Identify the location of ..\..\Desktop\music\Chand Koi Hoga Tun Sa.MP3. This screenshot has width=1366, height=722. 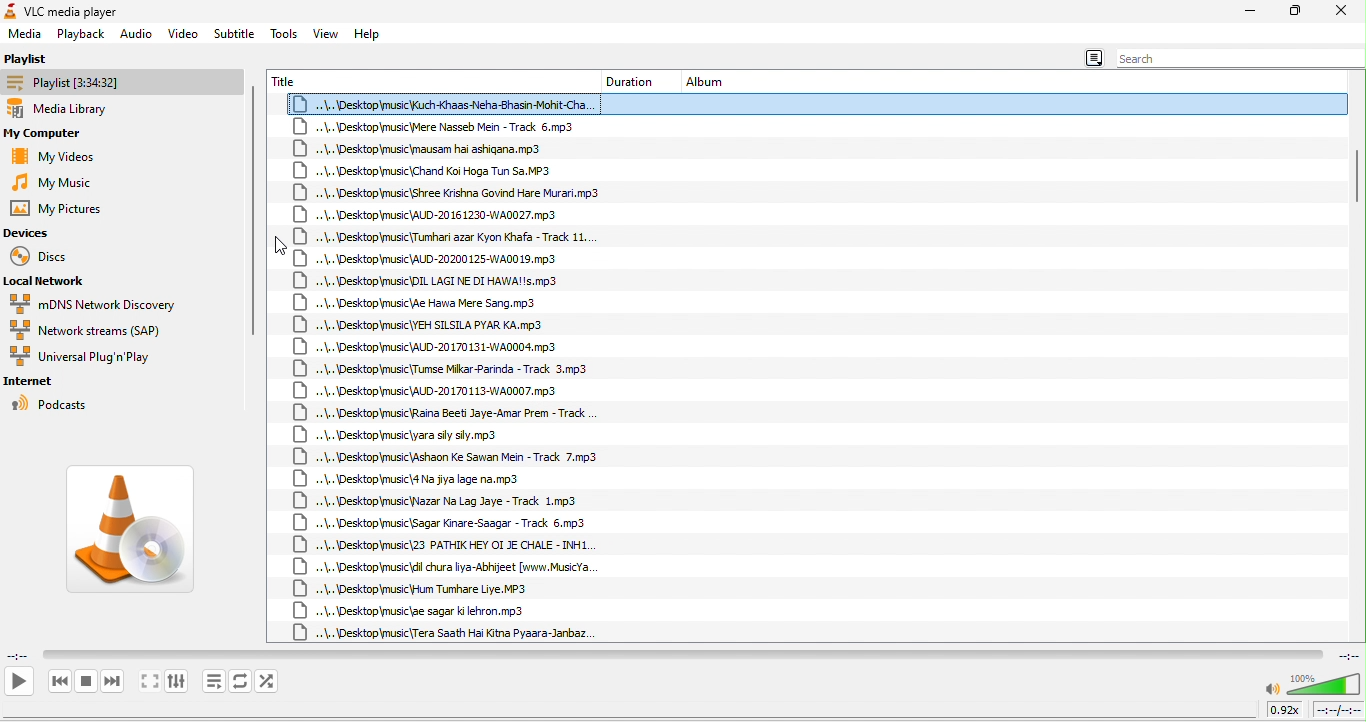
(423, 170).